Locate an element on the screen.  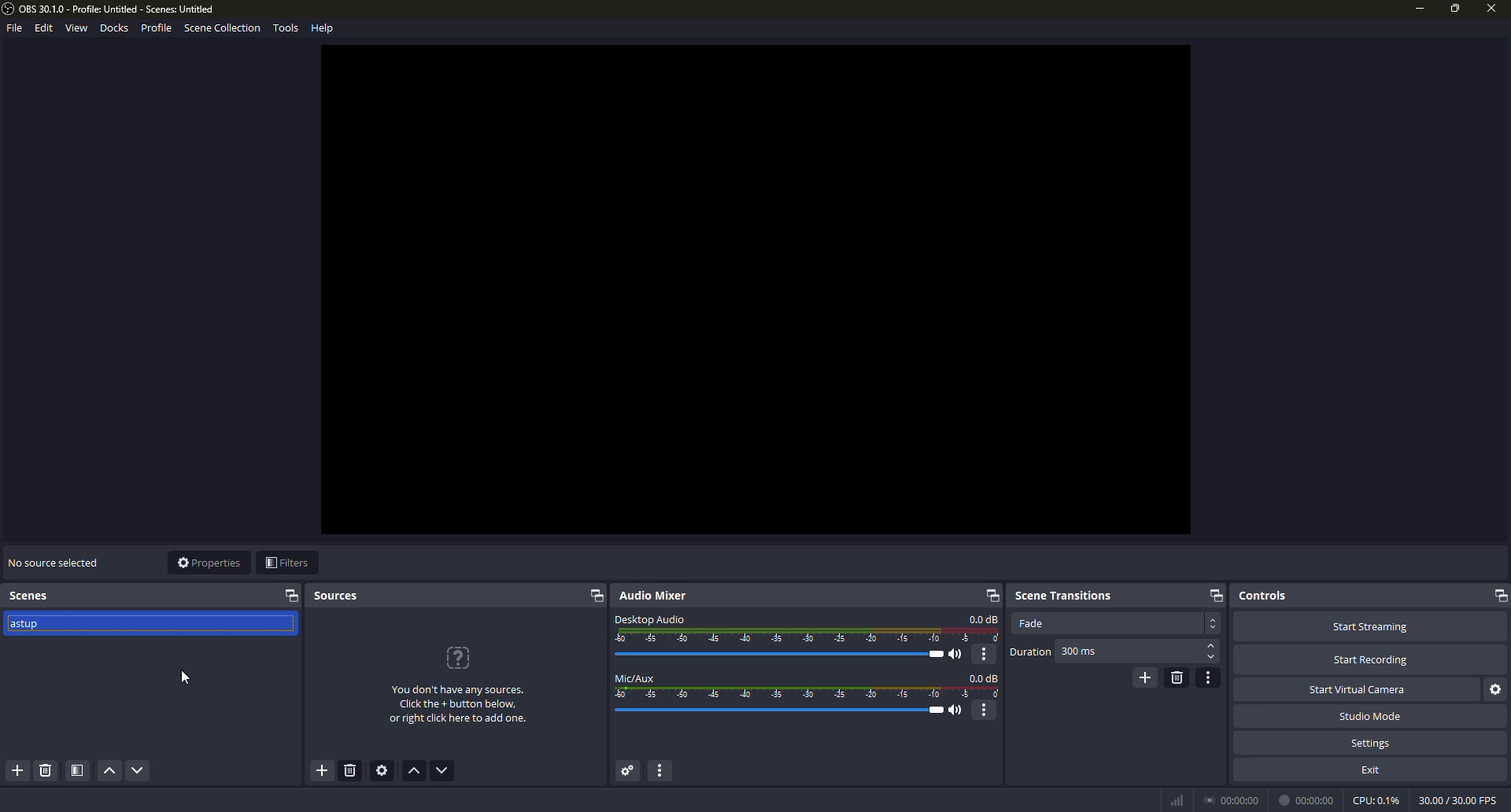
scene name renamed is located at coordinates (29, 626).